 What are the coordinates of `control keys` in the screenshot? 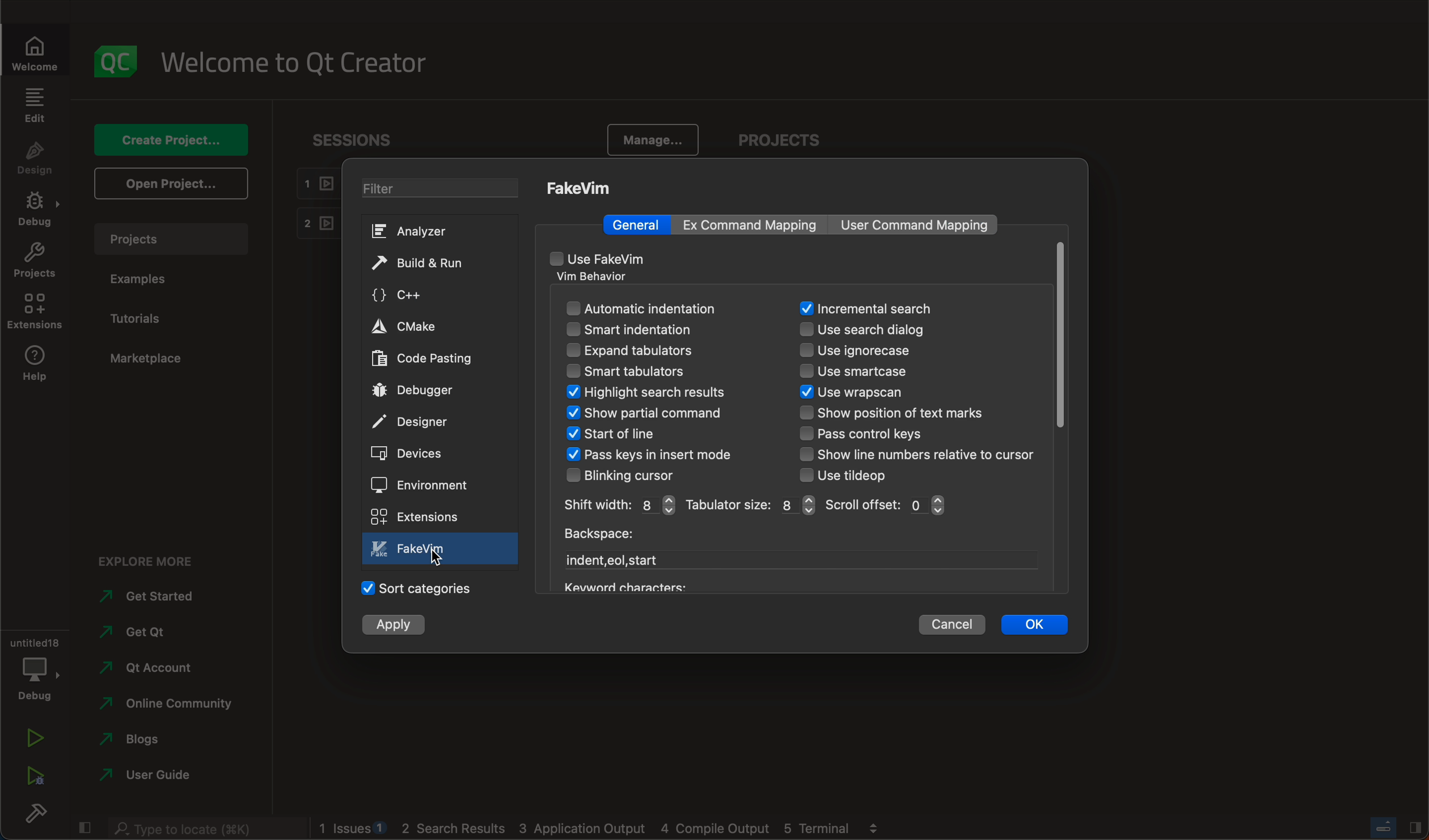 It's located at (873, 435).